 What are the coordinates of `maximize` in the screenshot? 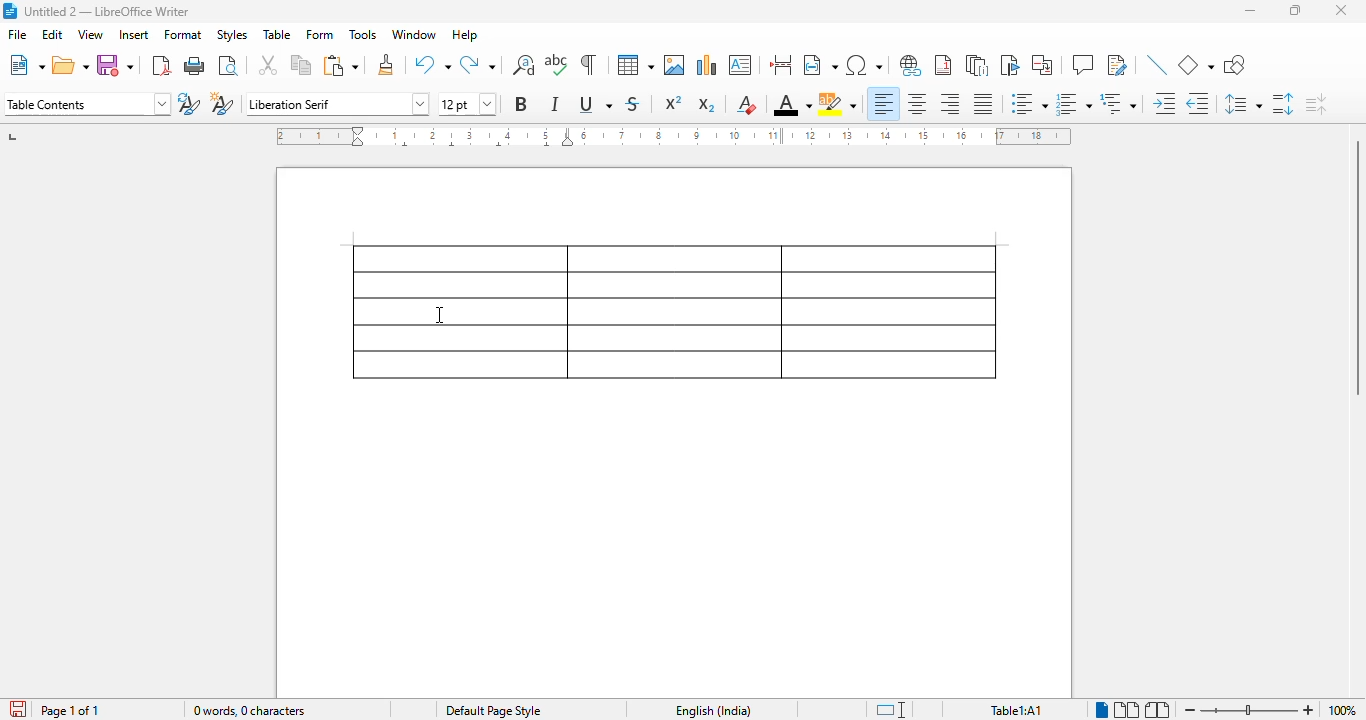 It's located at (1297, 10).